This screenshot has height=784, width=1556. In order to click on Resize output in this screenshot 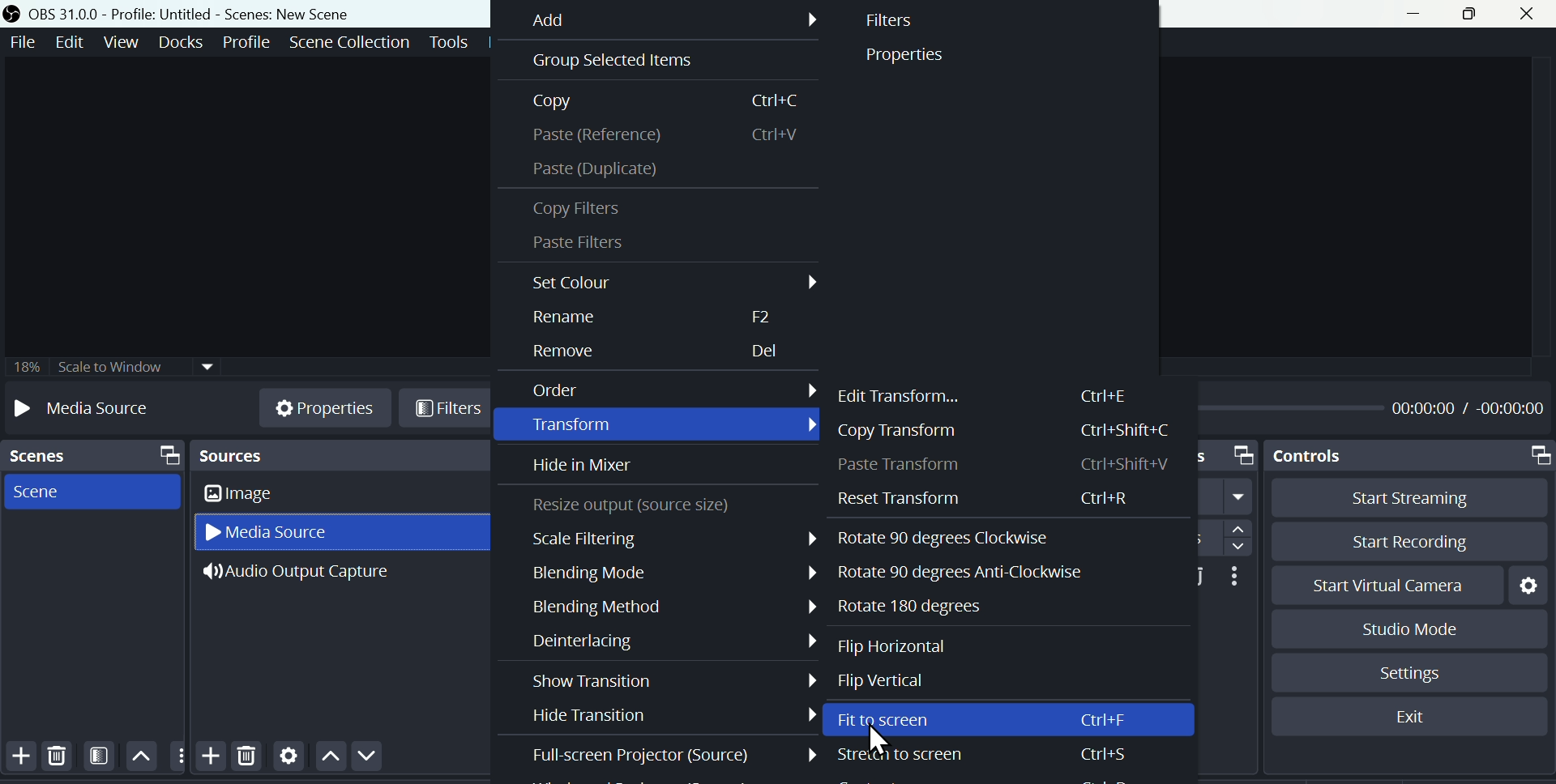, I will do `click(637, 505)`.